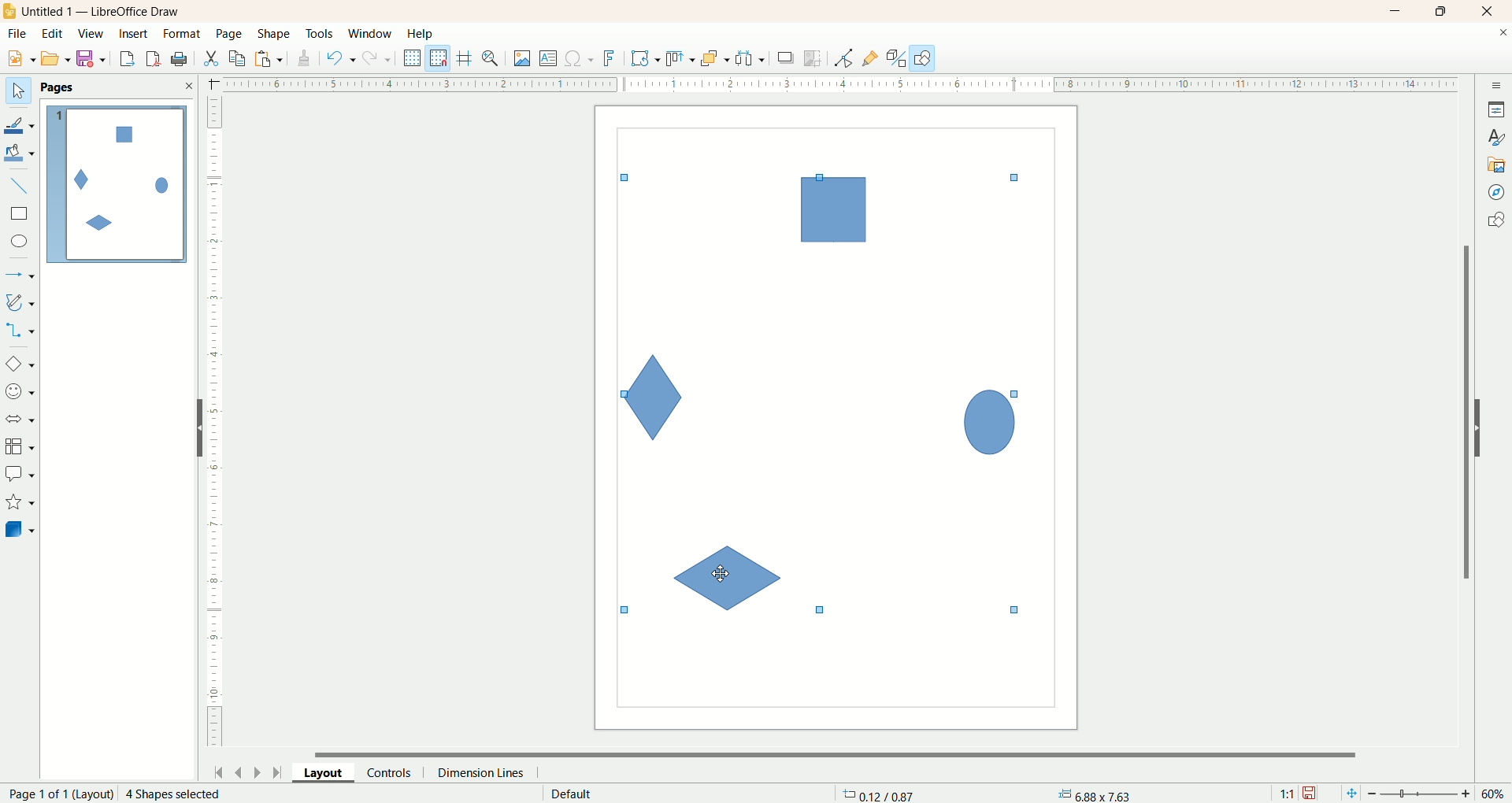 The width and height of the screenshot is (1512, 803). Describe the element at coordinates (1486, 425) in the screenshot. I see `hide` at that location.